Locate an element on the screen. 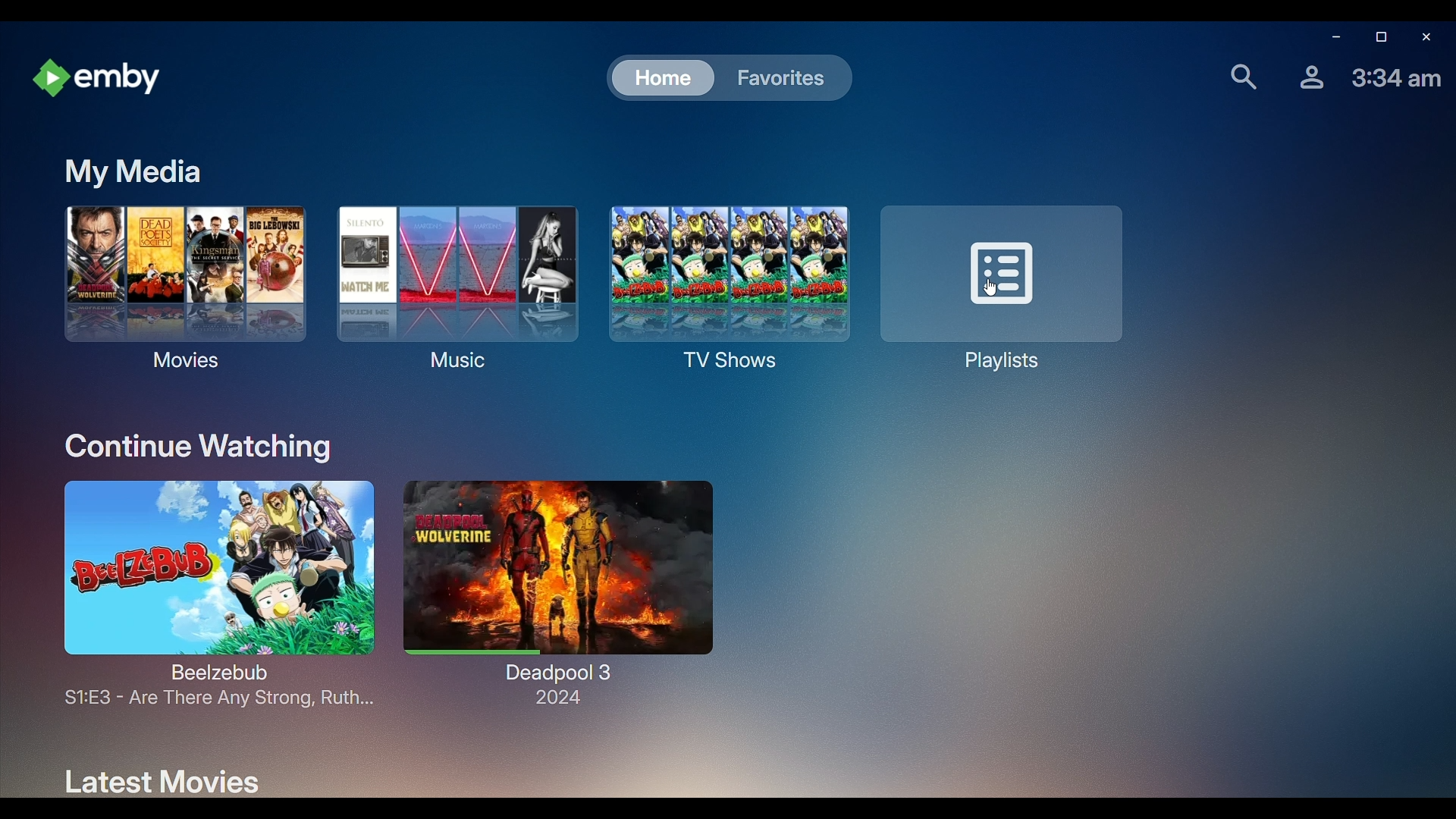  Home is located at coordinates (657, 78).